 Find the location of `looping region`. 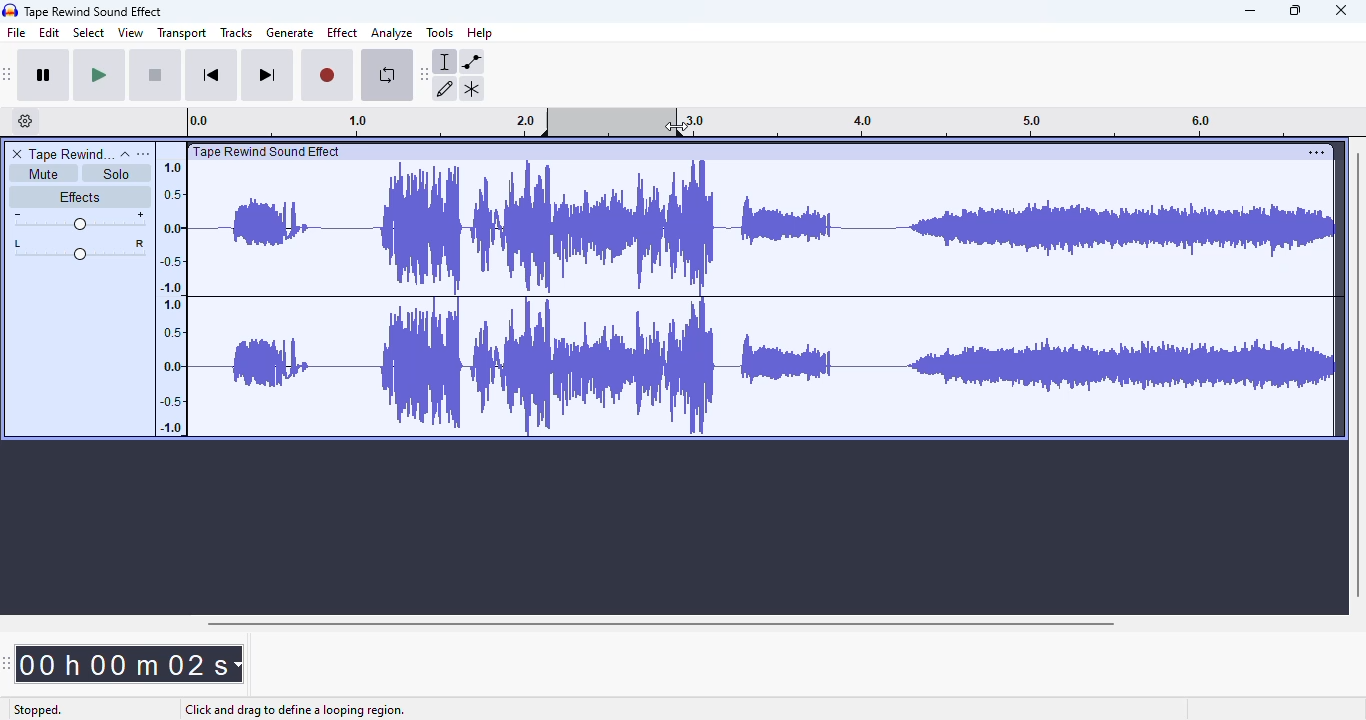

looping region is located at coordinates (614, 121).